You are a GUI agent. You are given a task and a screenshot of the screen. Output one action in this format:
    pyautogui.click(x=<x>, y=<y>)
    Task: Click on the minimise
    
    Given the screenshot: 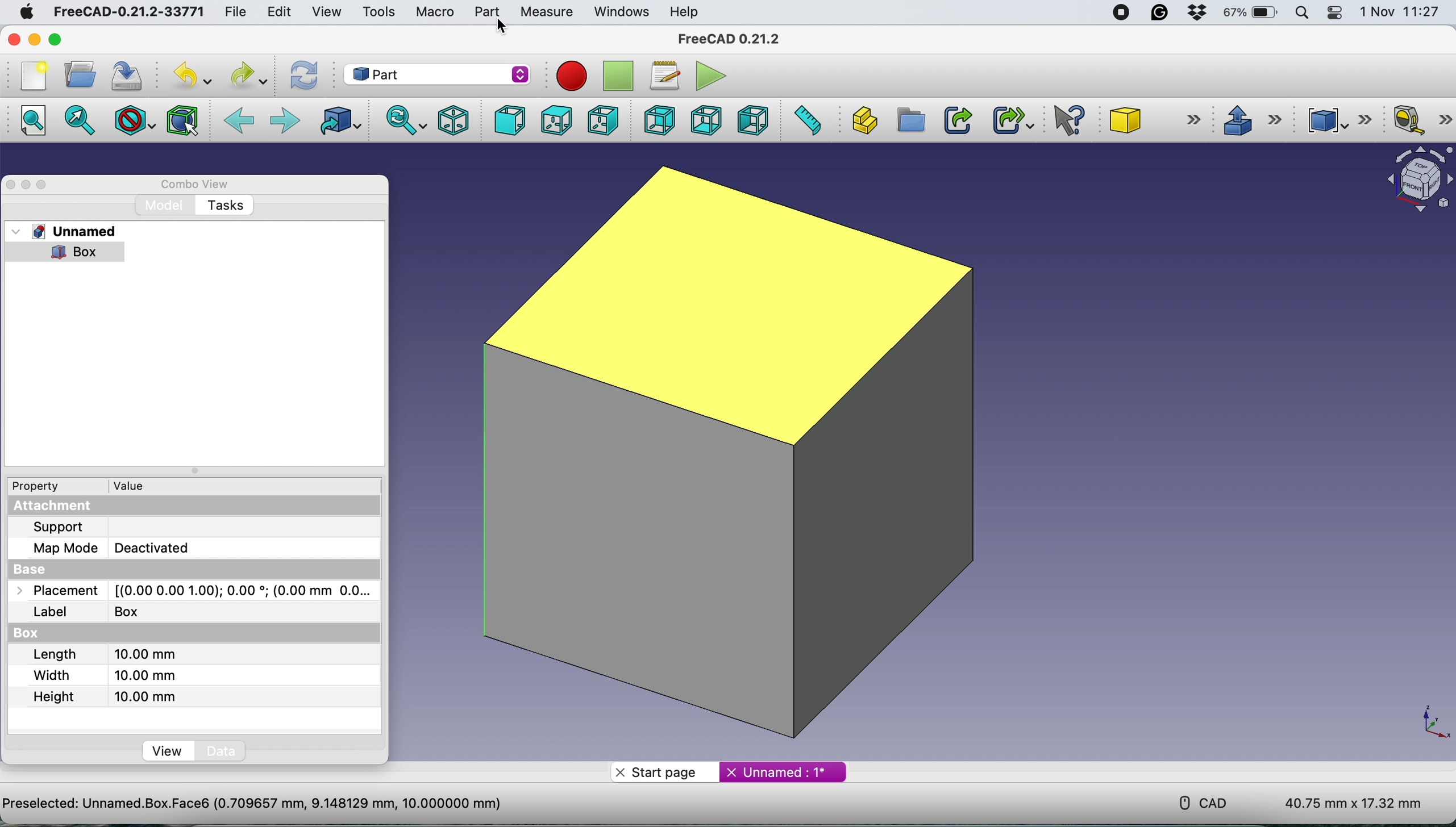 What is the action you would take?
    pyautogui.click(x=27, y=184)
    